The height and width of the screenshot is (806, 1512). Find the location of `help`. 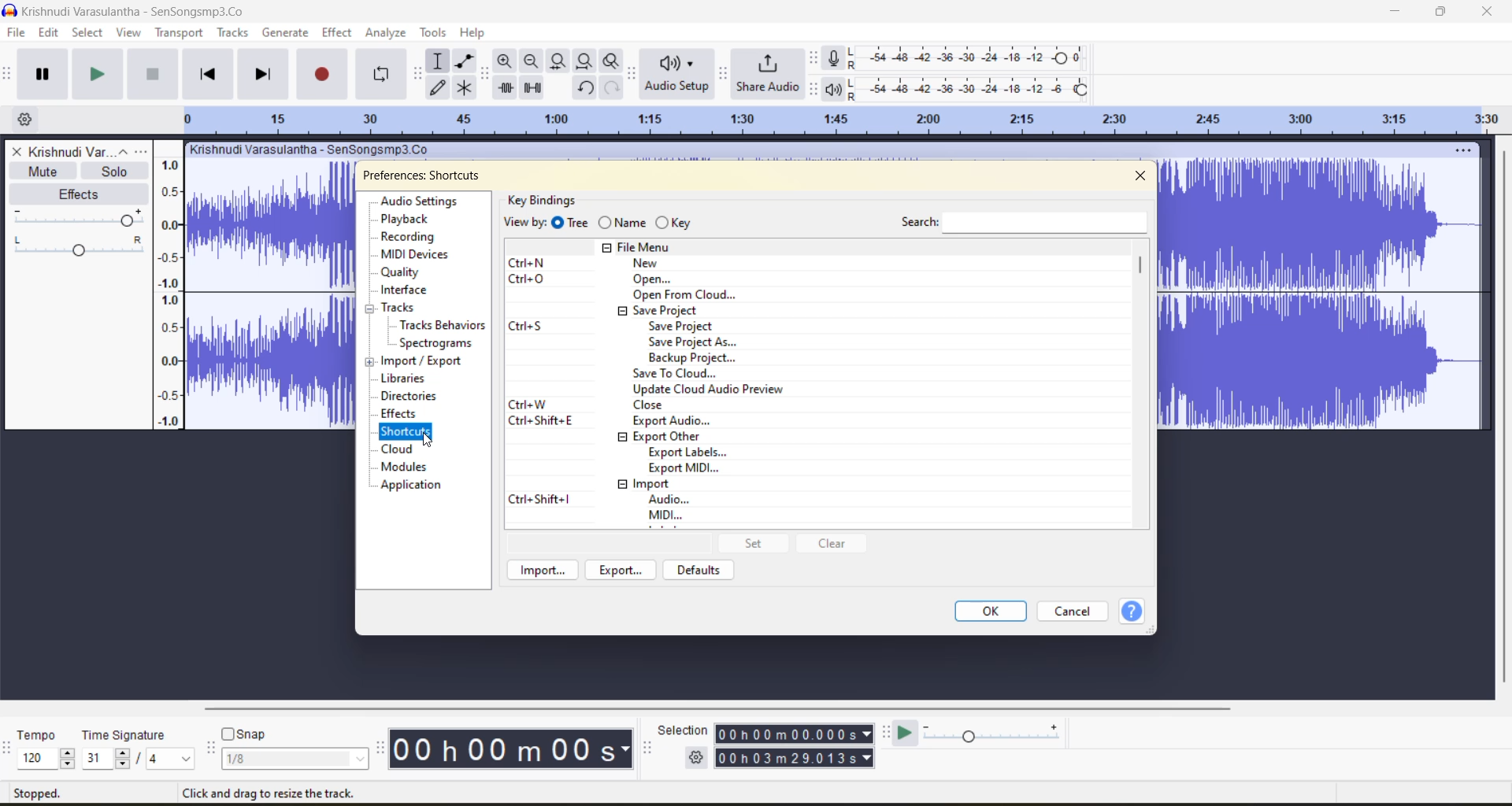

help is located at coordinates (475, 31).